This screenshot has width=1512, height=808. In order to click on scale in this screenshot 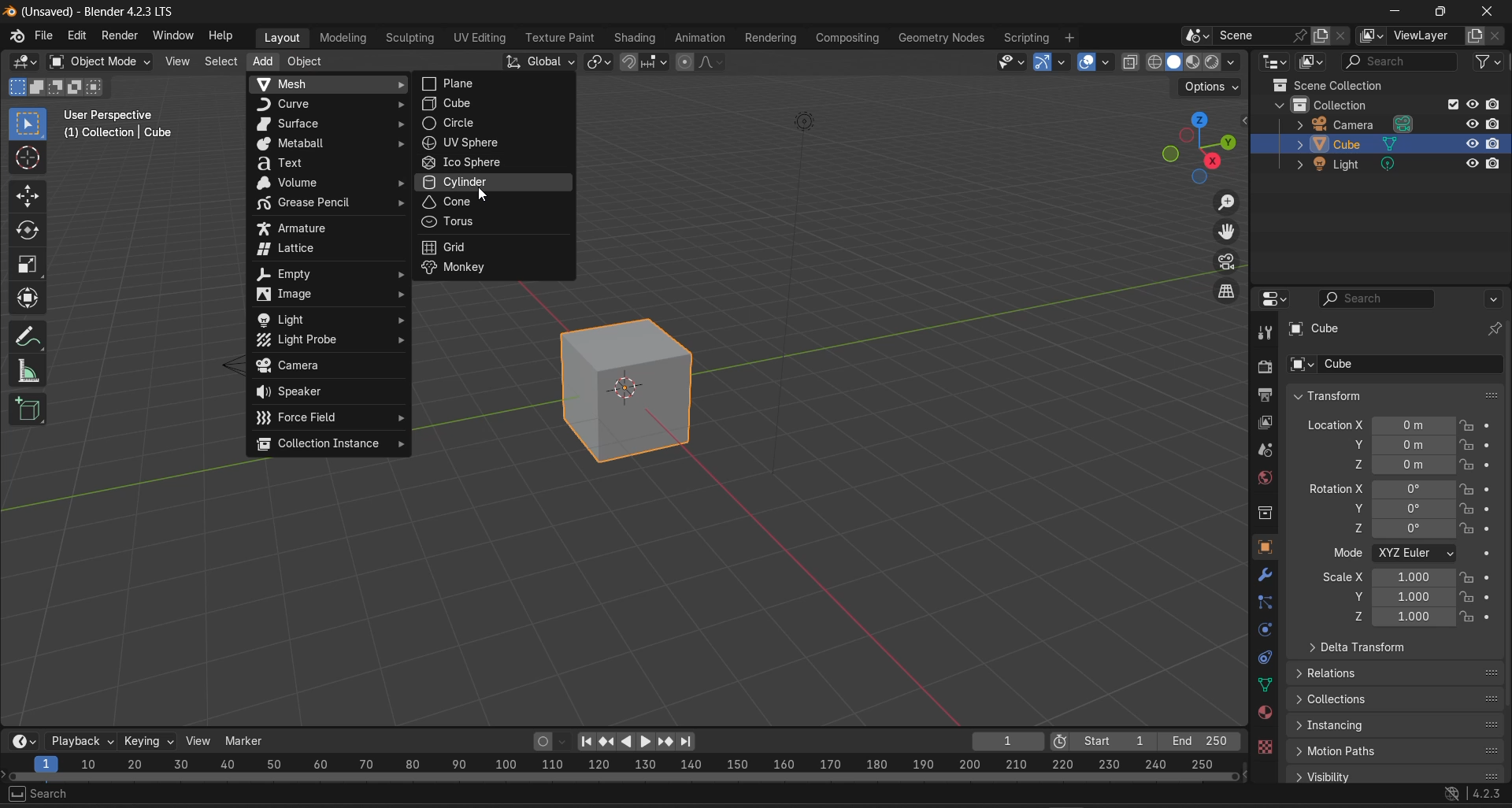, I will do `click(30, 265)`.